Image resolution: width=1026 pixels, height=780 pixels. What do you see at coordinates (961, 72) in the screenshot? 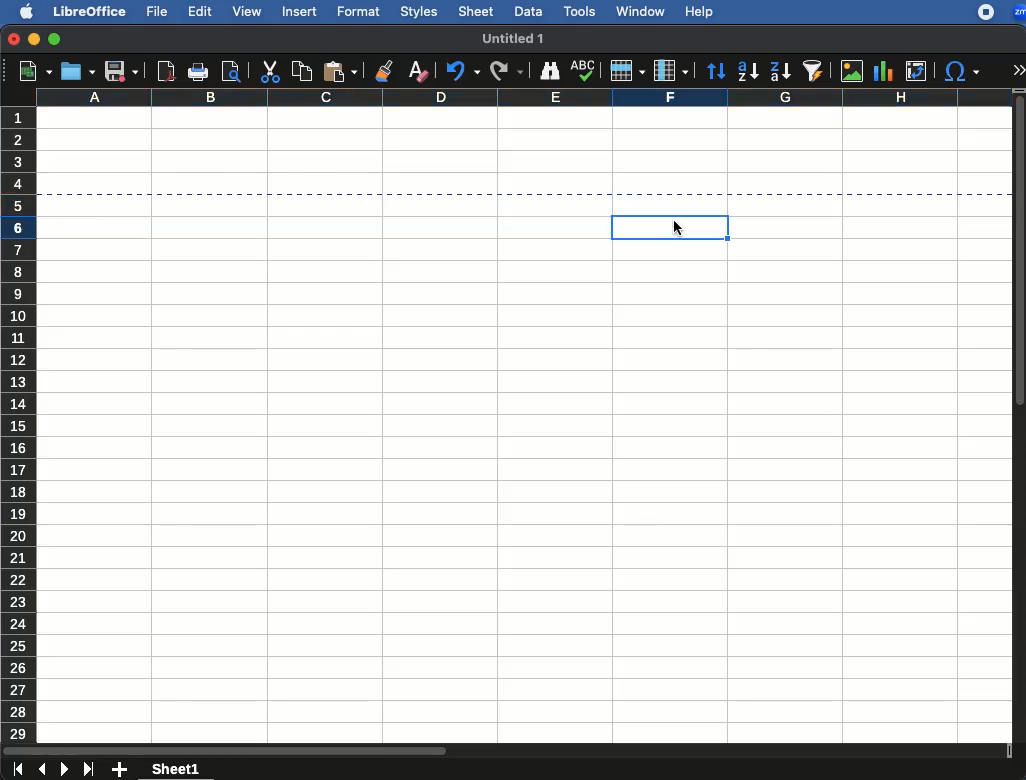
I see `special characters` at bounding box center [961, 72].